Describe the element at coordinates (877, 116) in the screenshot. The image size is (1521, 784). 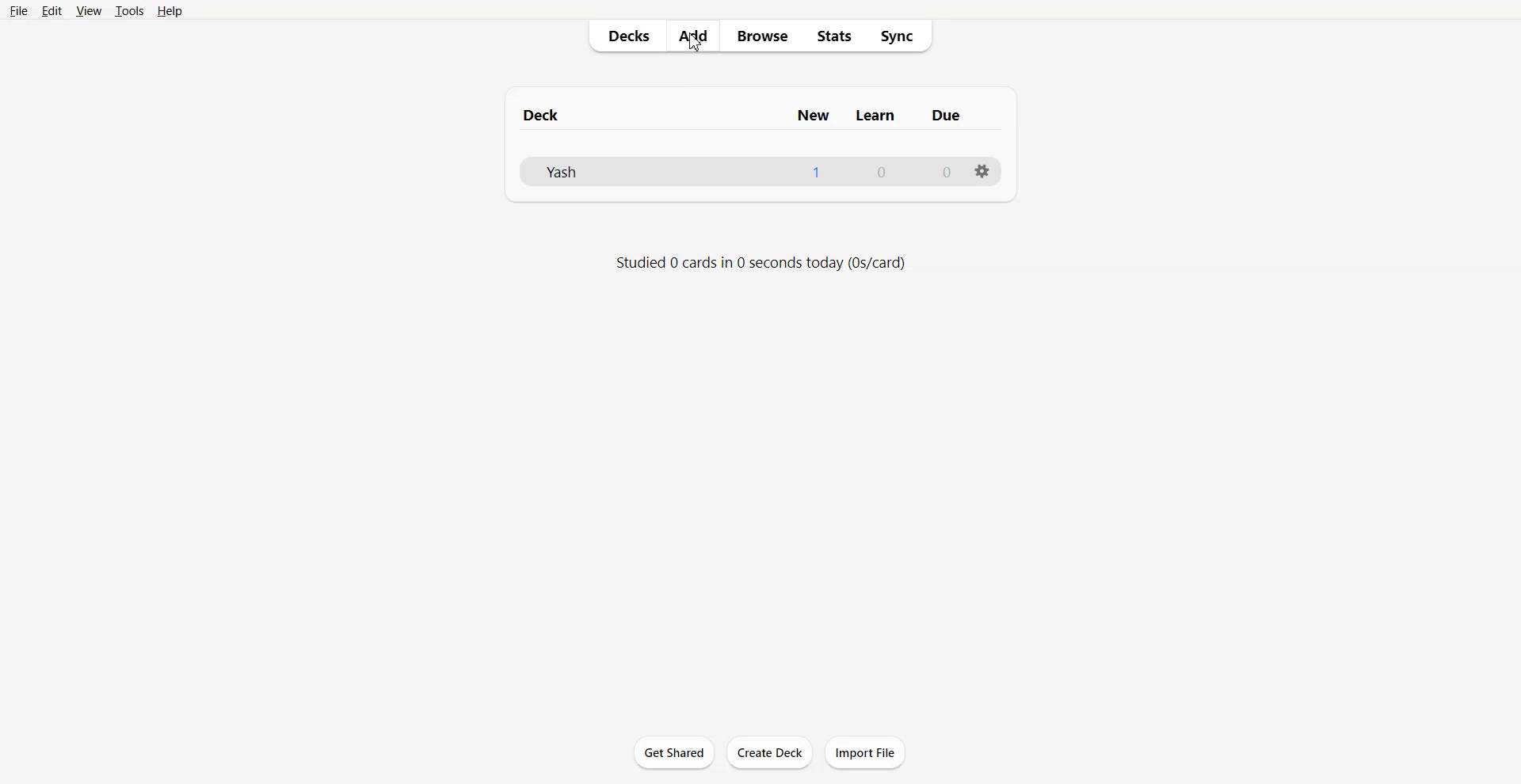
I see `learn ` at that location.